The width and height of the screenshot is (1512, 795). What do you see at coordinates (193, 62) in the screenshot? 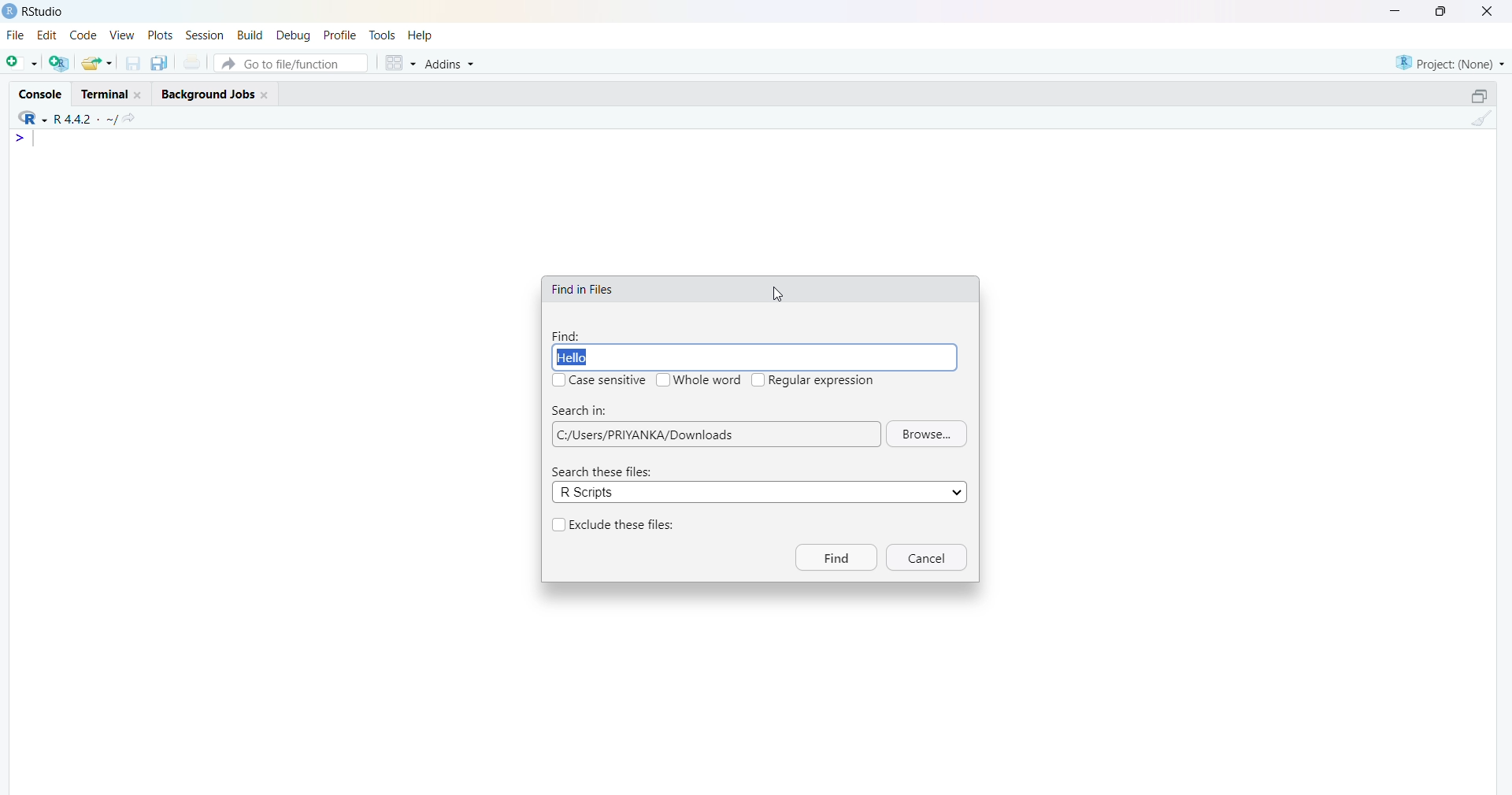
I see `print` at bounding box center [193, 62].